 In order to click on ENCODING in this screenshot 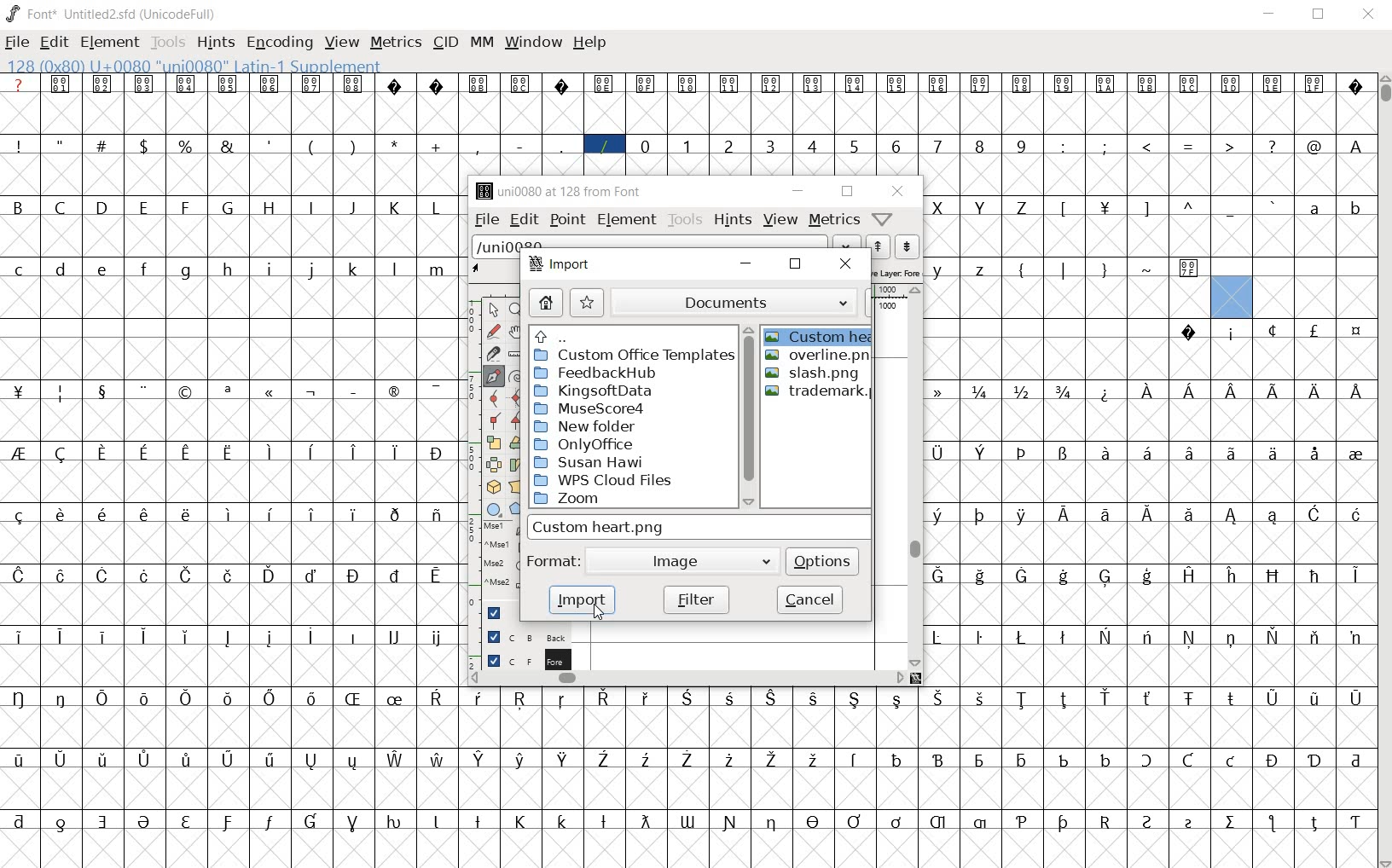, I will do `click(278, 42)`.